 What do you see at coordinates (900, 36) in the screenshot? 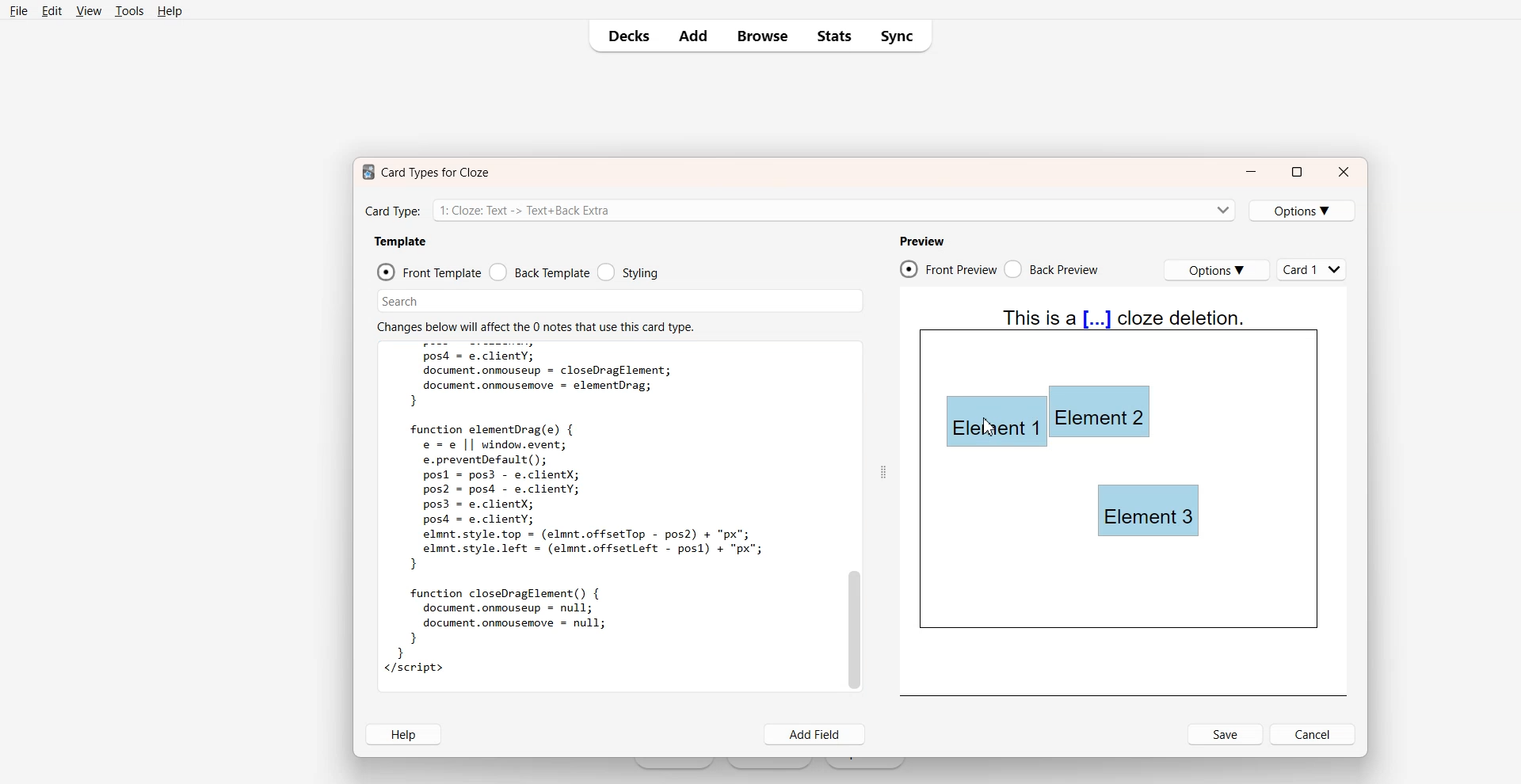
I see `Sync` at bounding box center [900, 36].